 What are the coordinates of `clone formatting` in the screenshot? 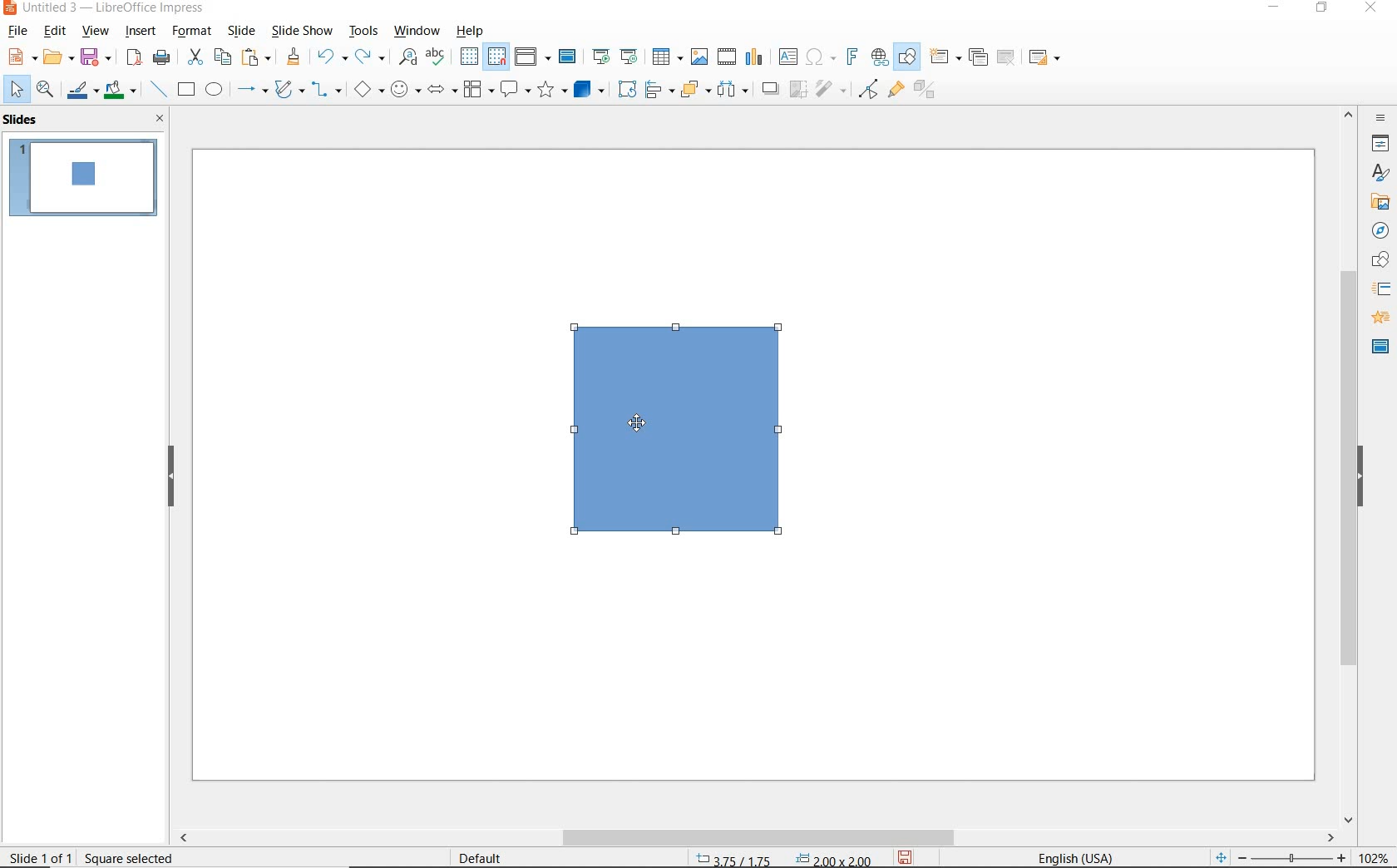 It's located at (293, 57).